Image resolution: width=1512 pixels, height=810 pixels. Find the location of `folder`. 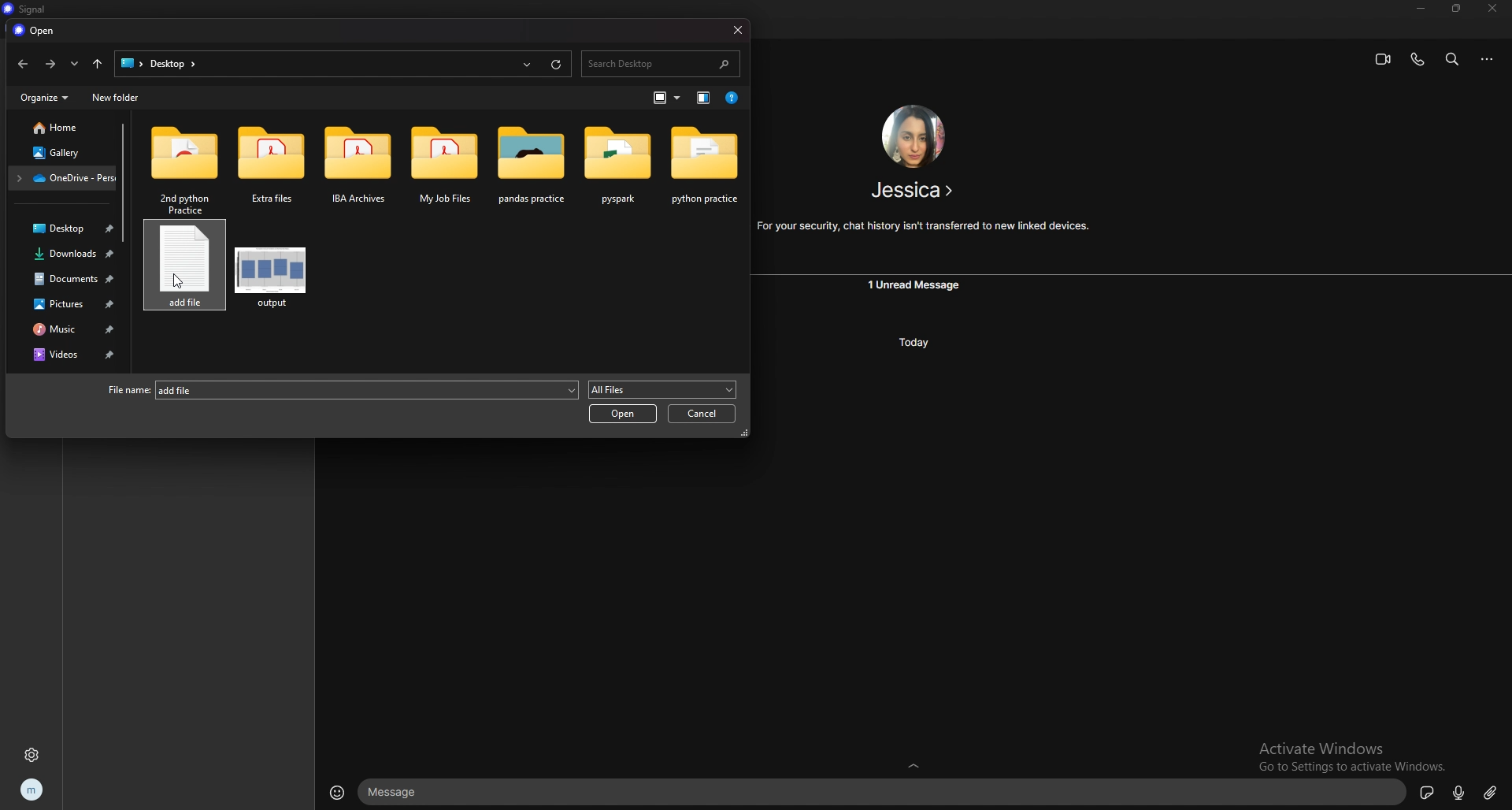

folder is located at coordinates (447, 169).